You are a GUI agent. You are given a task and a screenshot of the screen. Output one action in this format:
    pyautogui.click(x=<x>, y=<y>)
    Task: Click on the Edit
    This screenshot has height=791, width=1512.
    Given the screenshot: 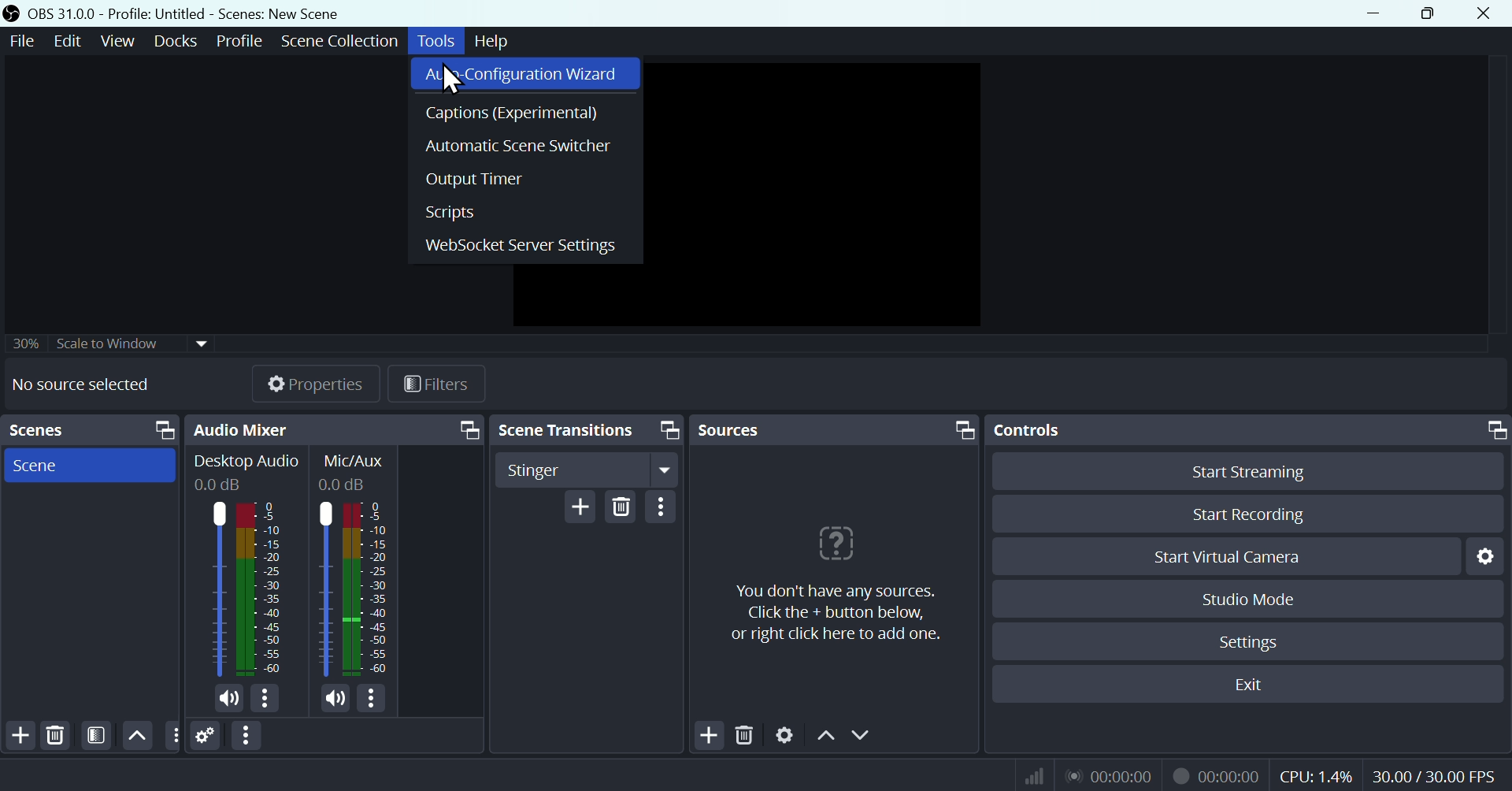 What is the action you would take?
    pyautogui.click(x=69, y=42)
    